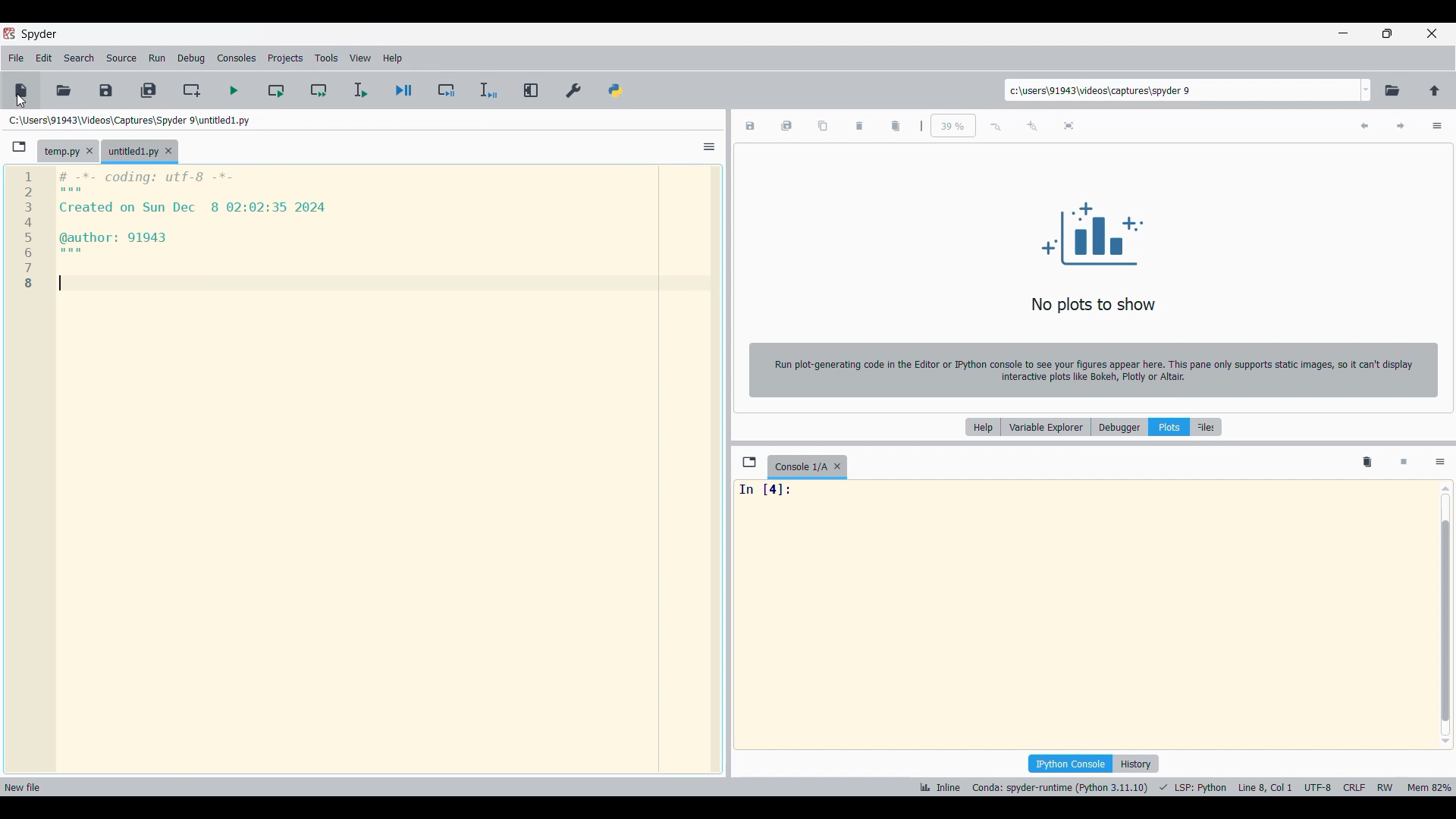 This screenshot has height=819, width=1456. Describe the element at coordinates (130, 150) in the screenshot. I see `Tab for new file highlighted as current selection` at that location.